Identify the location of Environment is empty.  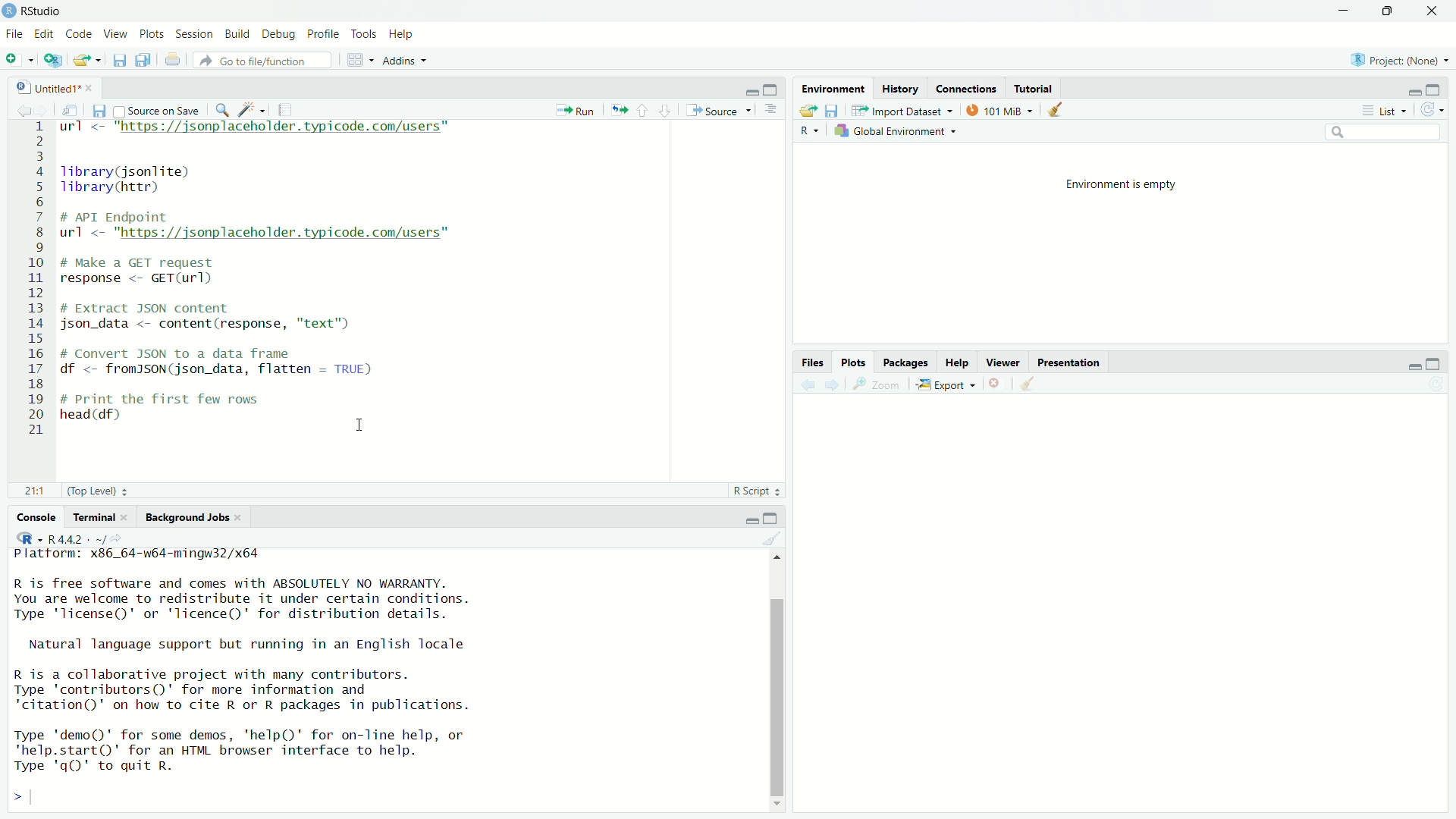
(1122, 186).